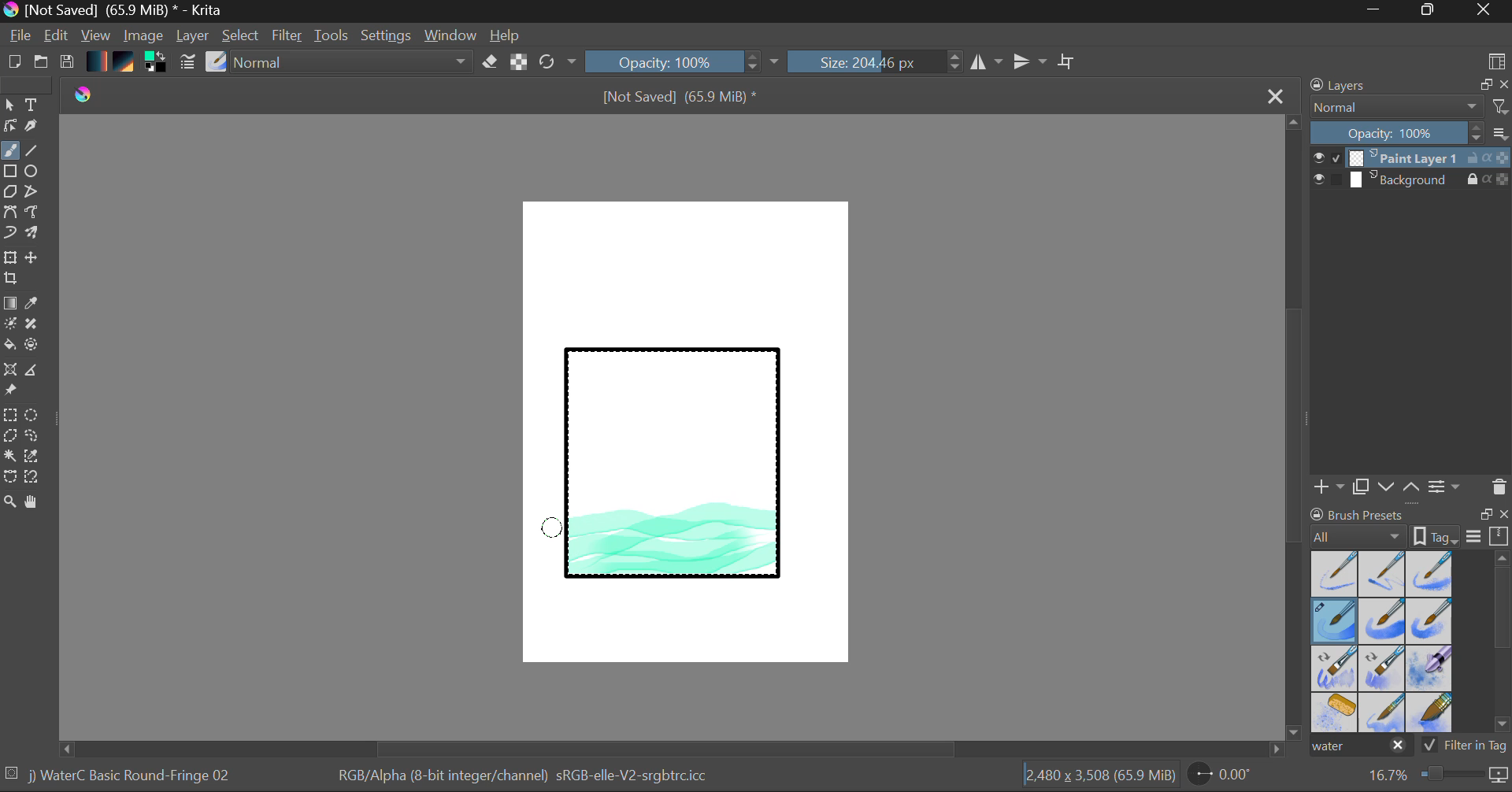 The width and height of the screenshot is (1512, 792). Describe the element at coordinates (9, 128) in the screenshot. I see `Edit Shapes` at that location.